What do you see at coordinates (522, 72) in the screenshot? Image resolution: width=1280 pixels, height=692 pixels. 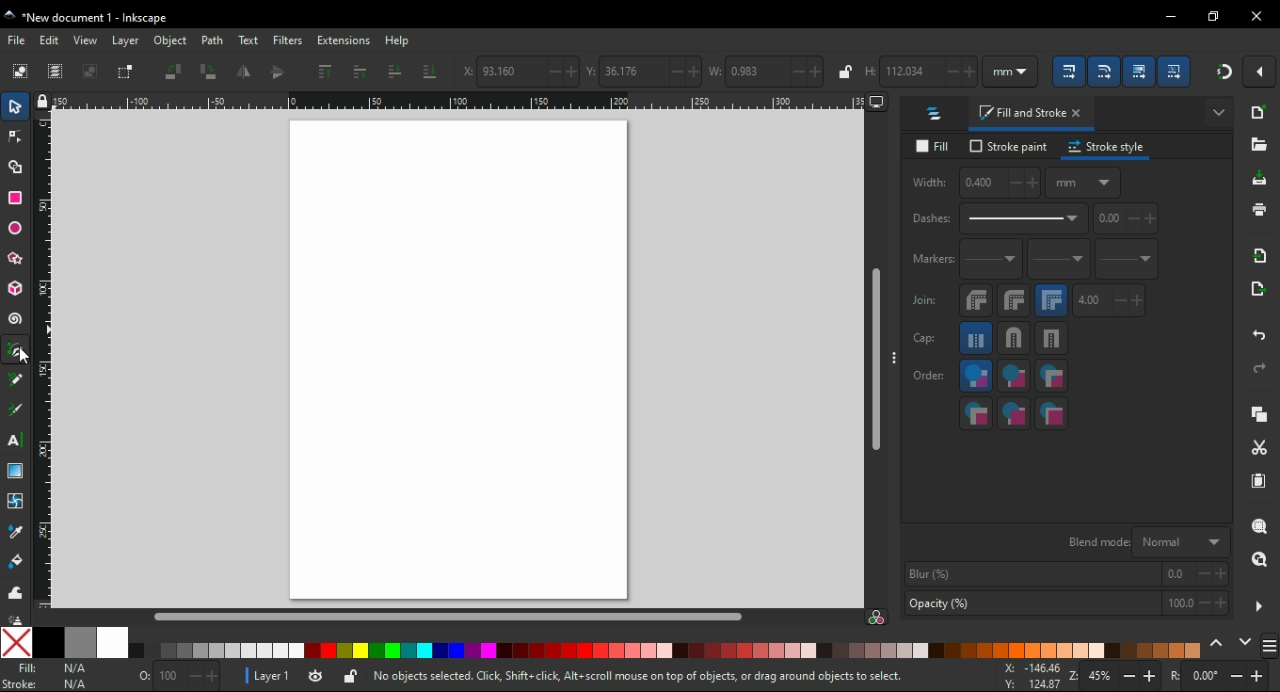 I see `horizontal coordinates` at bounding box center [522, 72].